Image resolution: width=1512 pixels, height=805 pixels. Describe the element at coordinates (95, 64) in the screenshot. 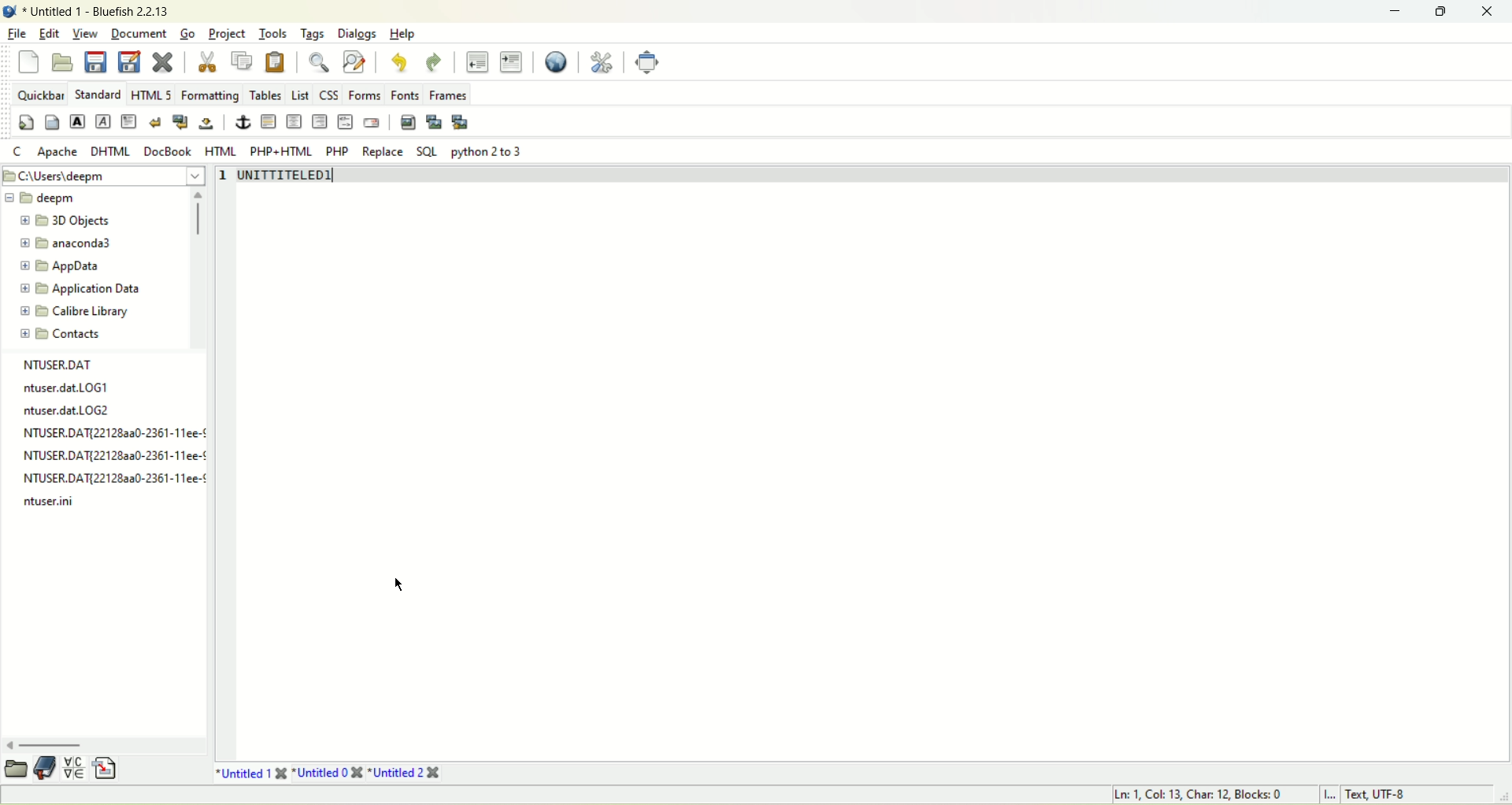

I see `save current file` at that location.